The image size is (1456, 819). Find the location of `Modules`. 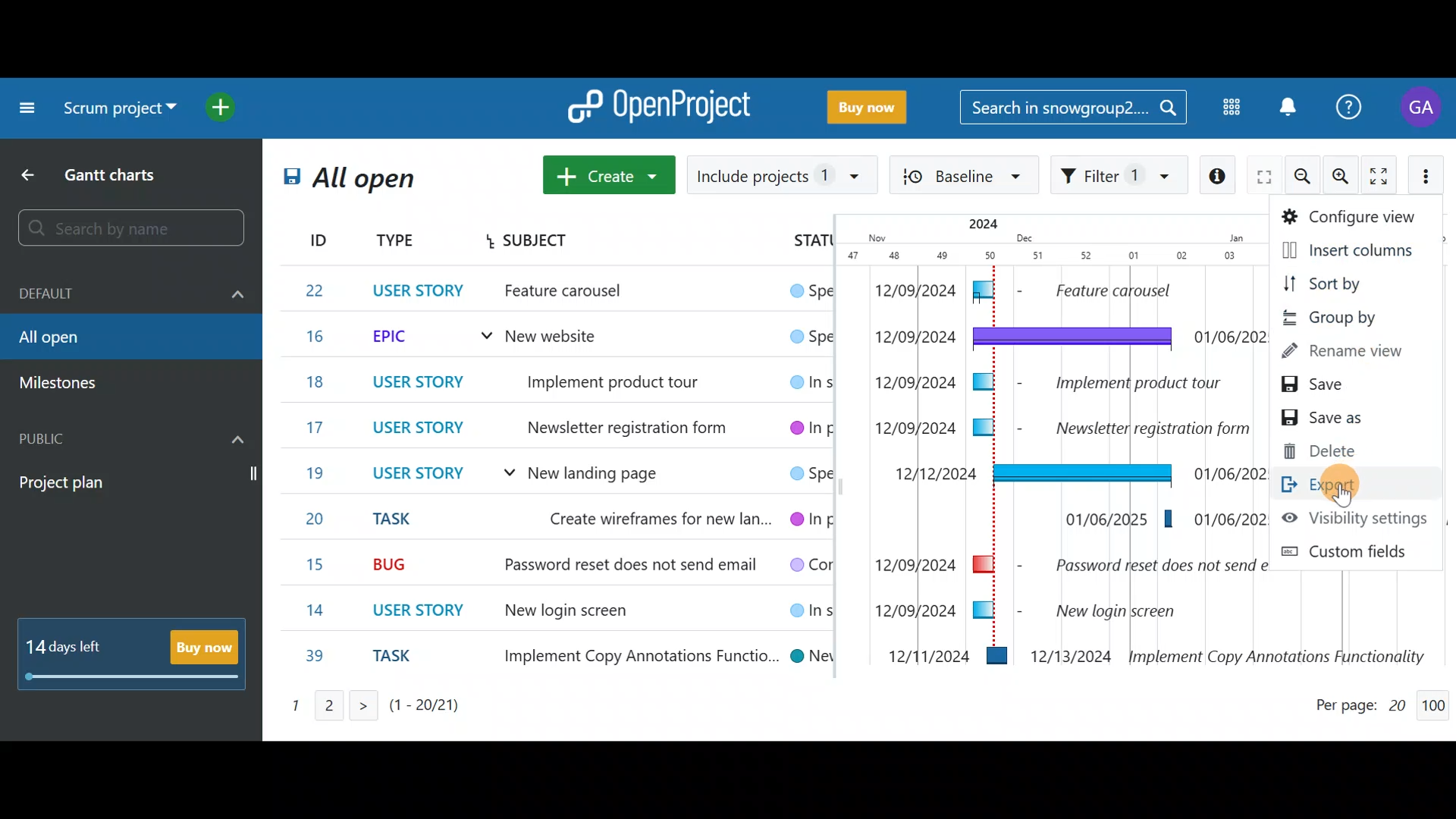

Modules is located at coordinates (1229, 108).